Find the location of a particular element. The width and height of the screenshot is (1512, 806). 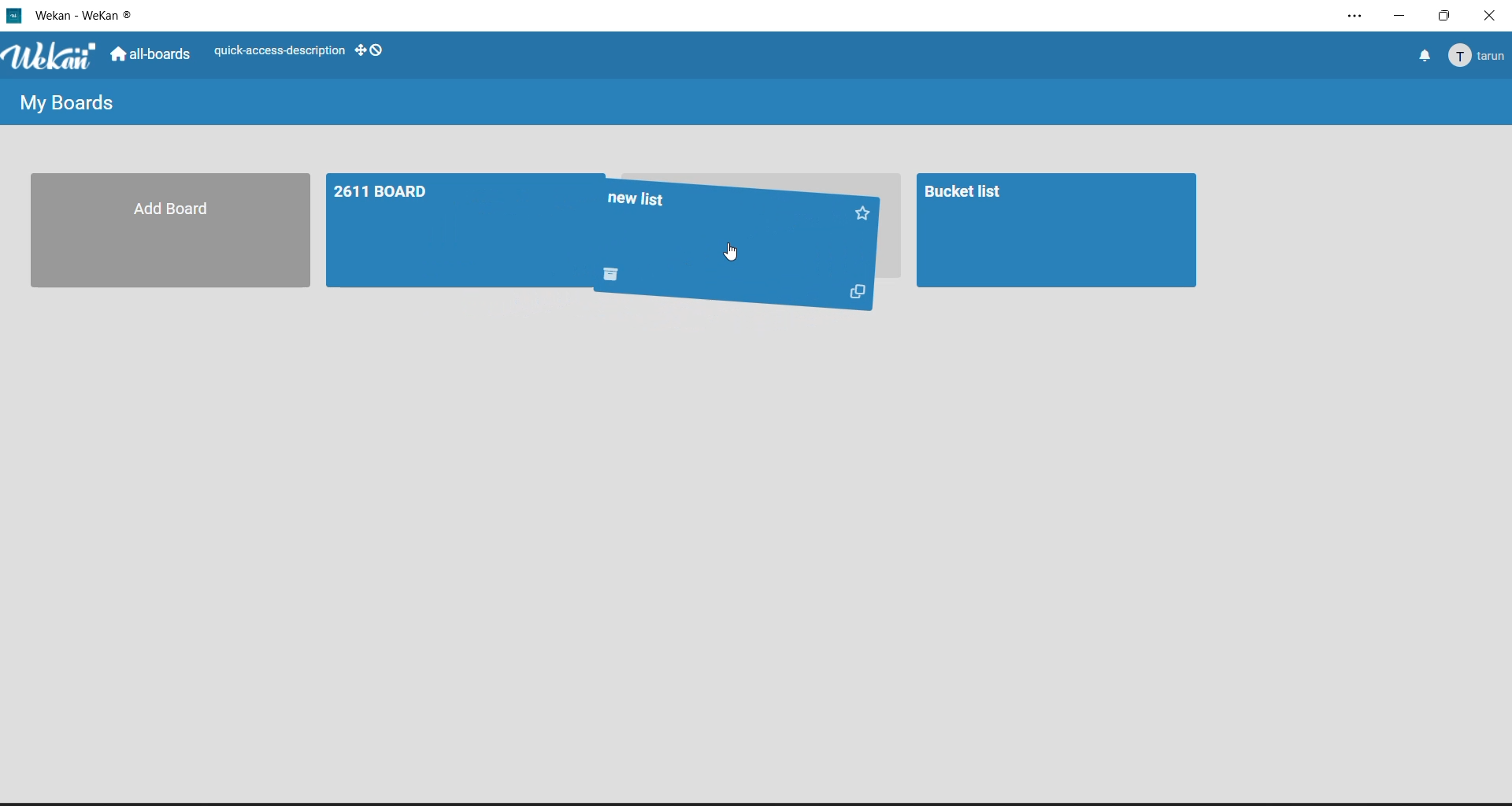

2611 BOARD is located at coordinates (457, 228).